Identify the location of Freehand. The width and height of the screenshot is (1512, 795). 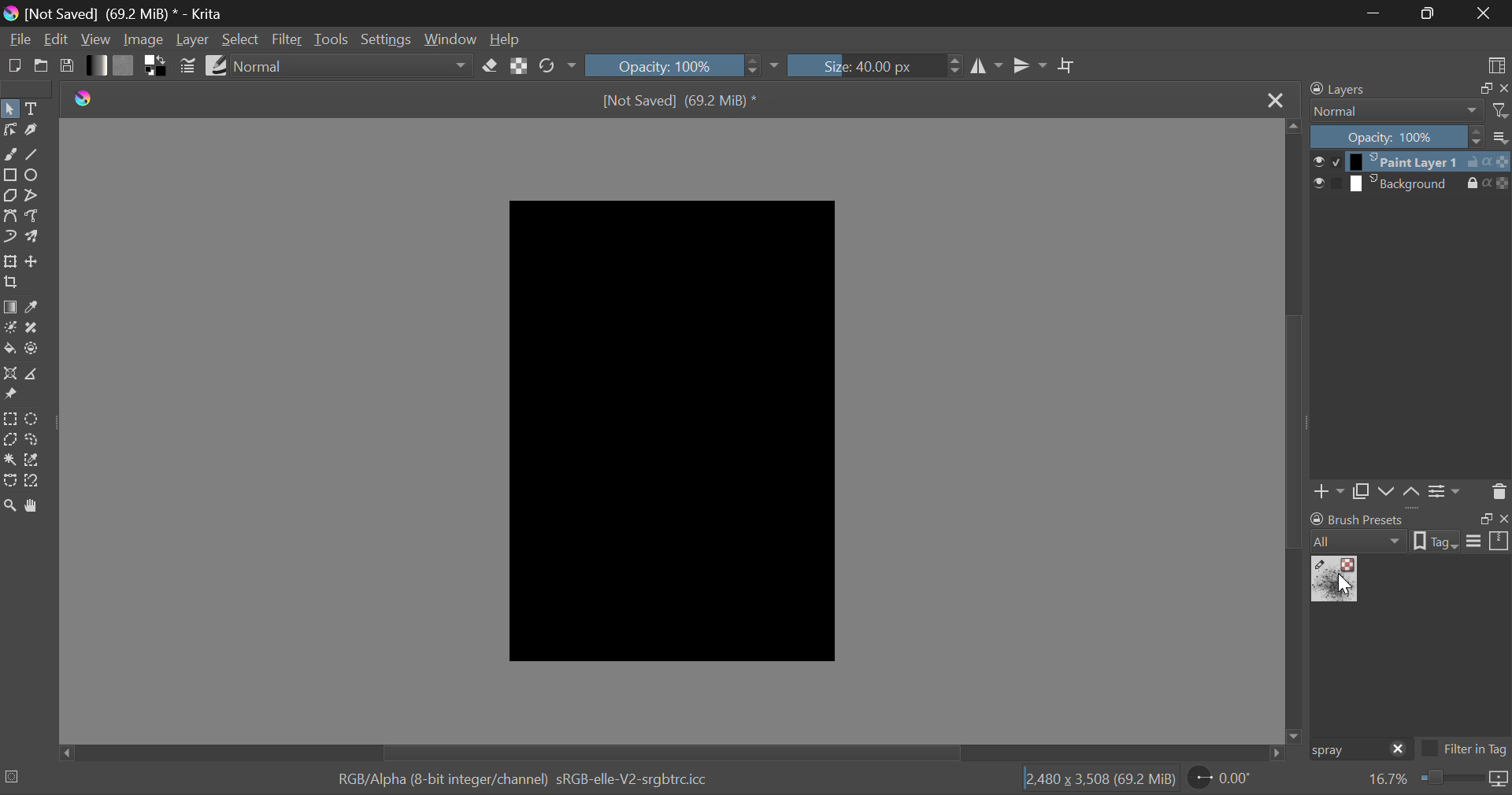
(10, 156).